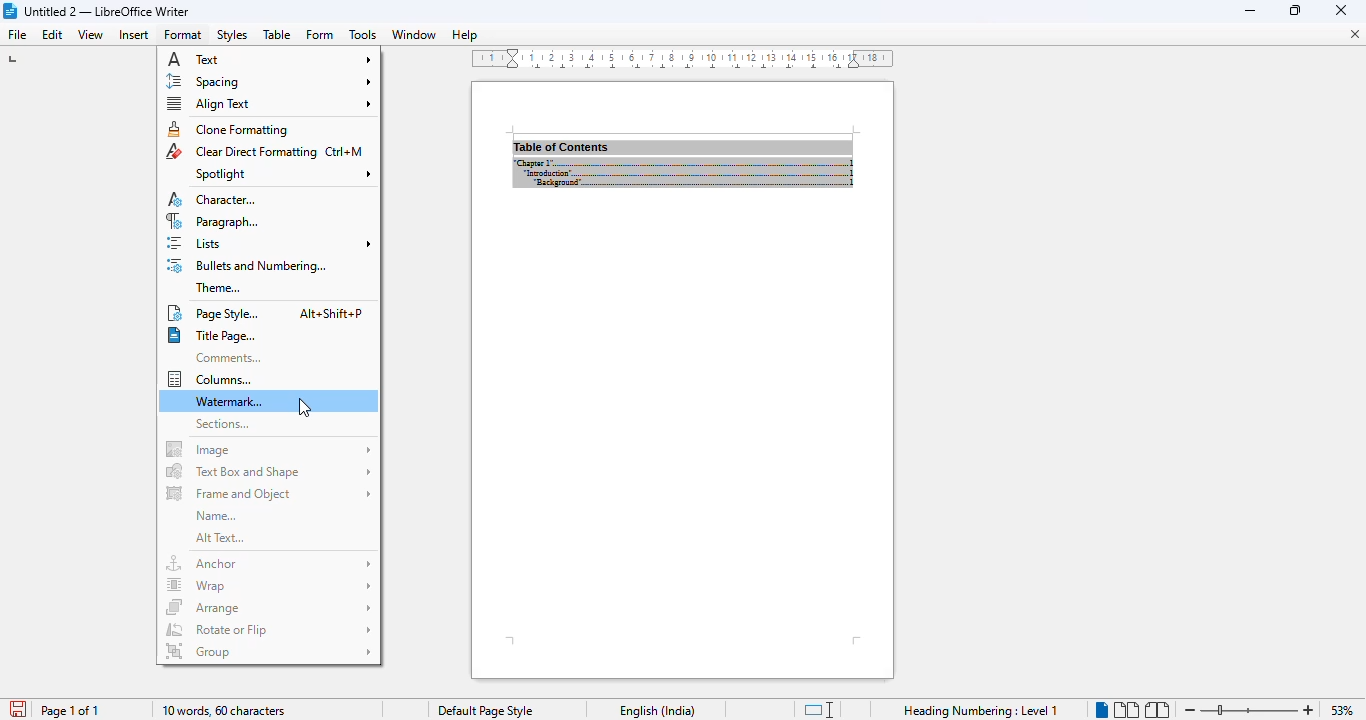  What do you see at coordinates (218, 288) in the screenshot?
I see `theme` at bounding box center [218, 288].